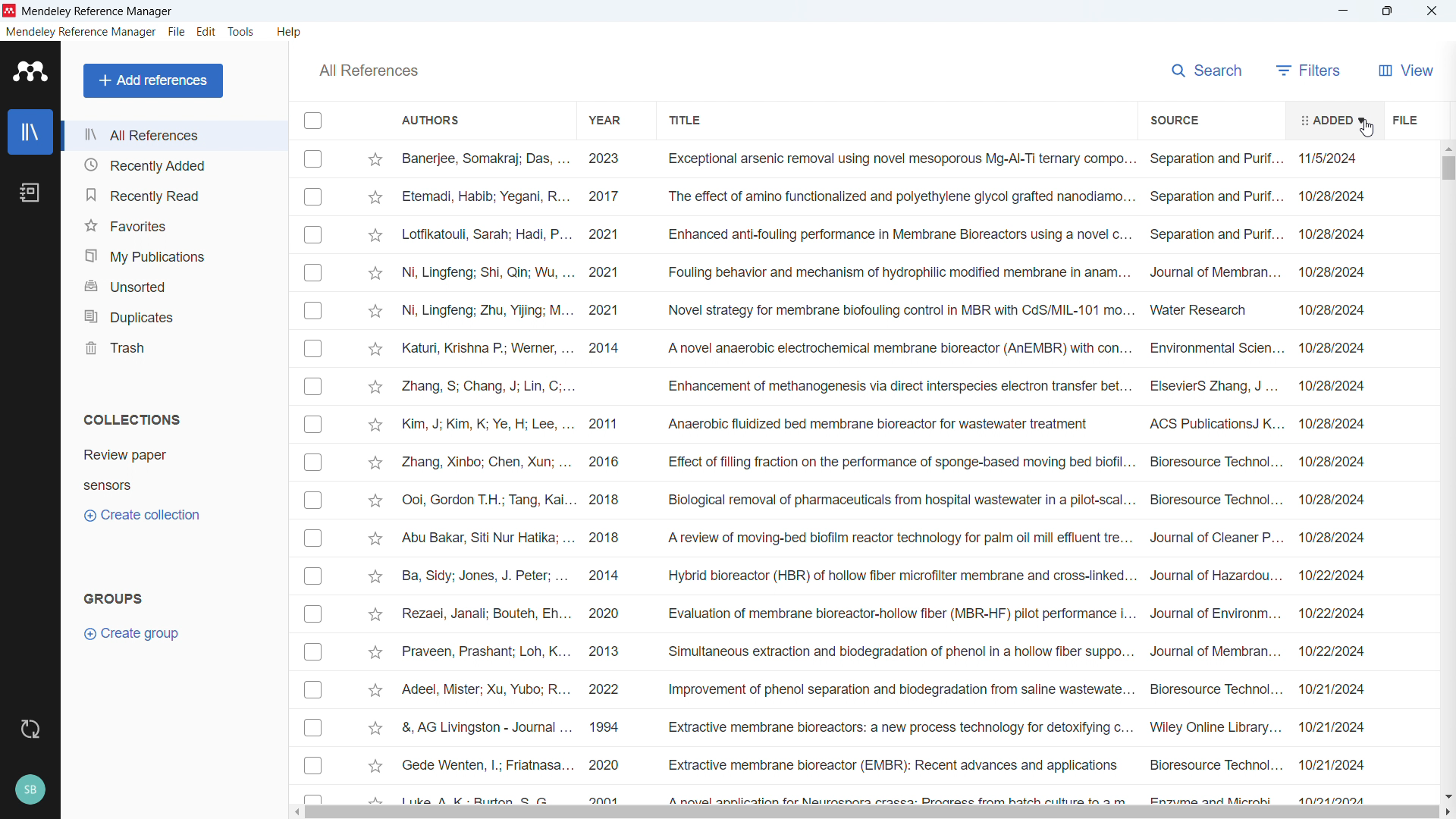  What do you see at coordinates (1334, 122) in the screenshot?
I see `added date` at bounding box center [1334, 122].